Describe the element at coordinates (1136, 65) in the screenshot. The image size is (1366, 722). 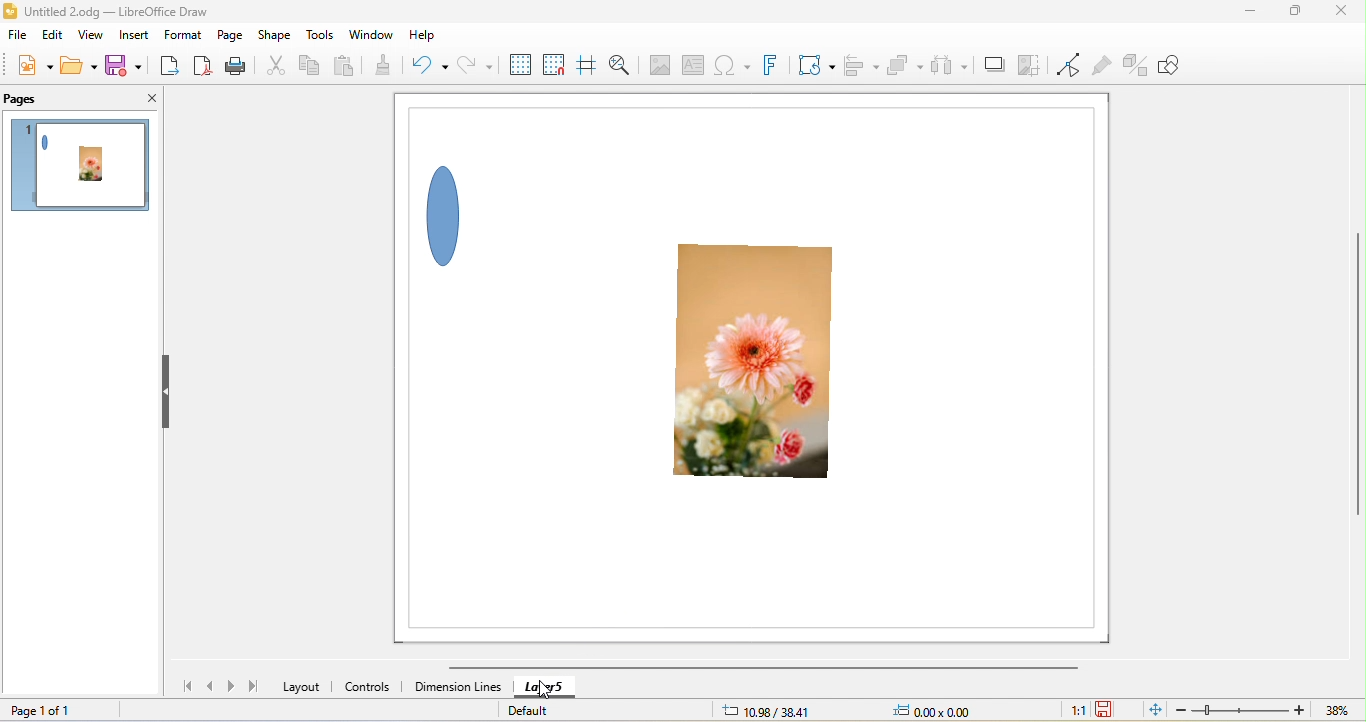
I see `toggle extruision` at that location.